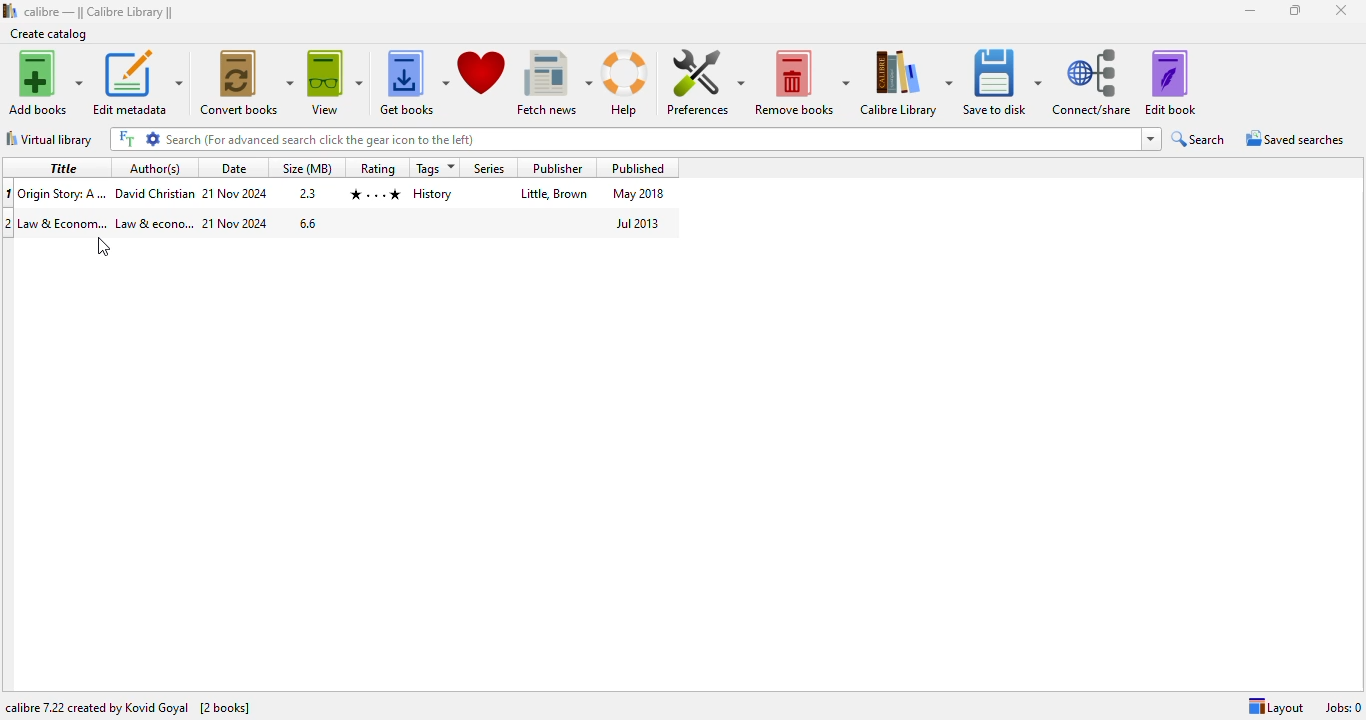  Describe the element at coordinates (1293, 139) in the screenshot. I see `saved searches` at that location.